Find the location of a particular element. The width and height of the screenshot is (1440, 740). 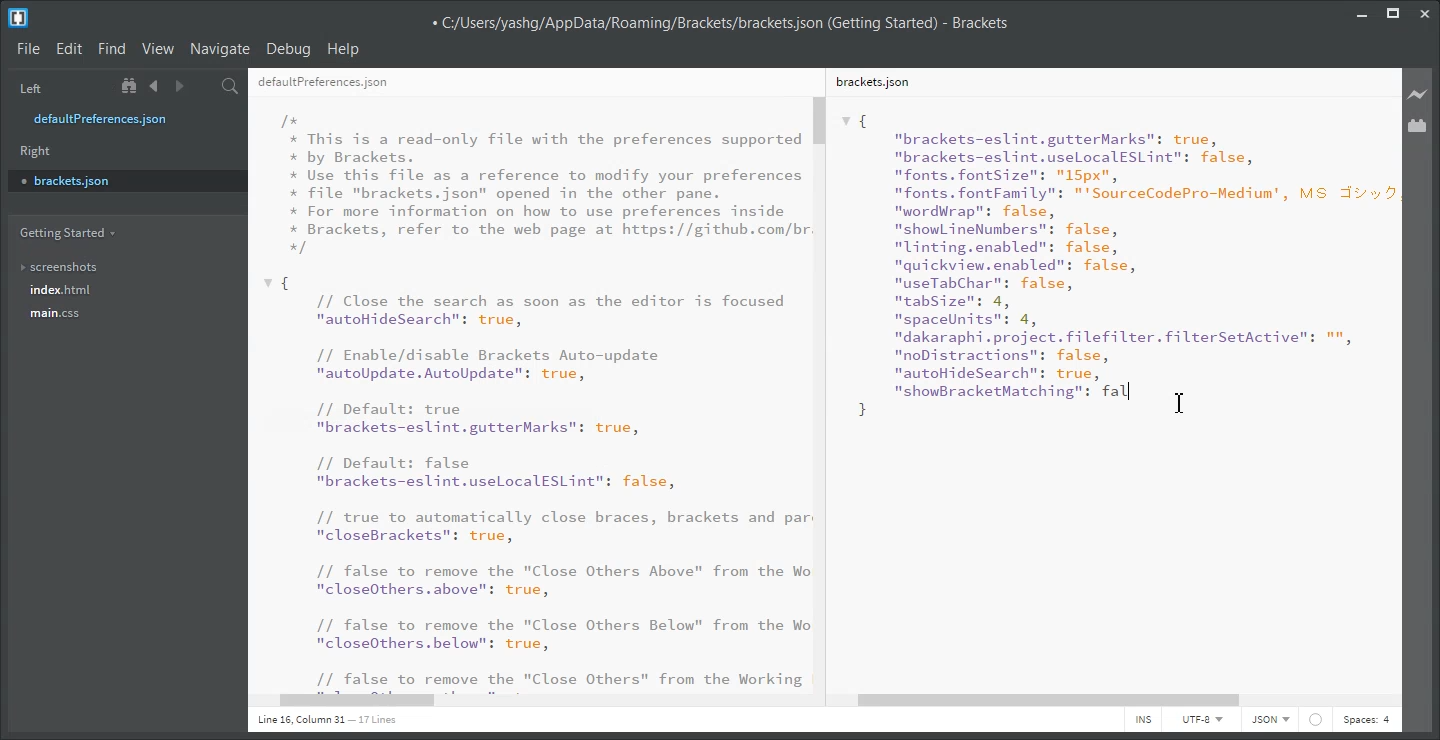

Vertical Scroll bar is located at coordinates (823, 392).